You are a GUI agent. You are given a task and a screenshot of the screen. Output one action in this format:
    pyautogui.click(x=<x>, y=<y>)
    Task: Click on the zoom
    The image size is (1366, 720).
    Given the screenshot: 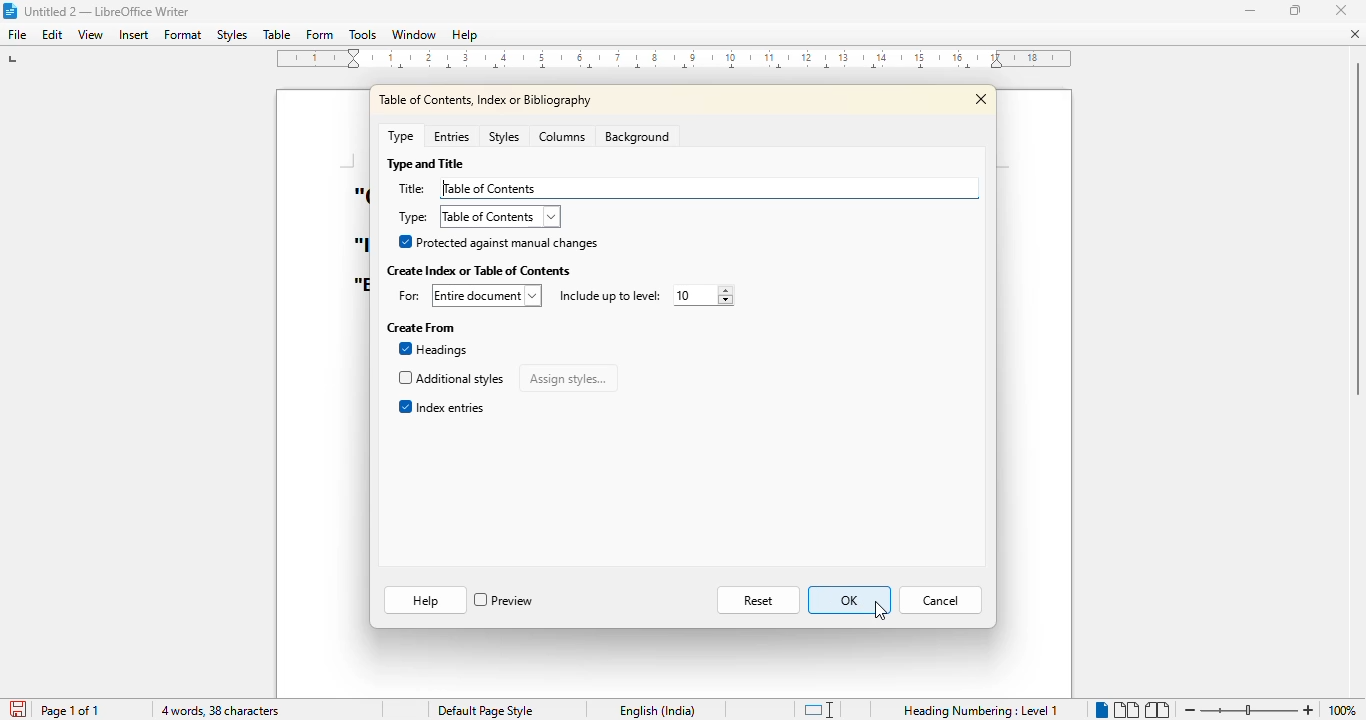 What is the action you would take?
    pyautogui.click(x=1247, y=710)
    